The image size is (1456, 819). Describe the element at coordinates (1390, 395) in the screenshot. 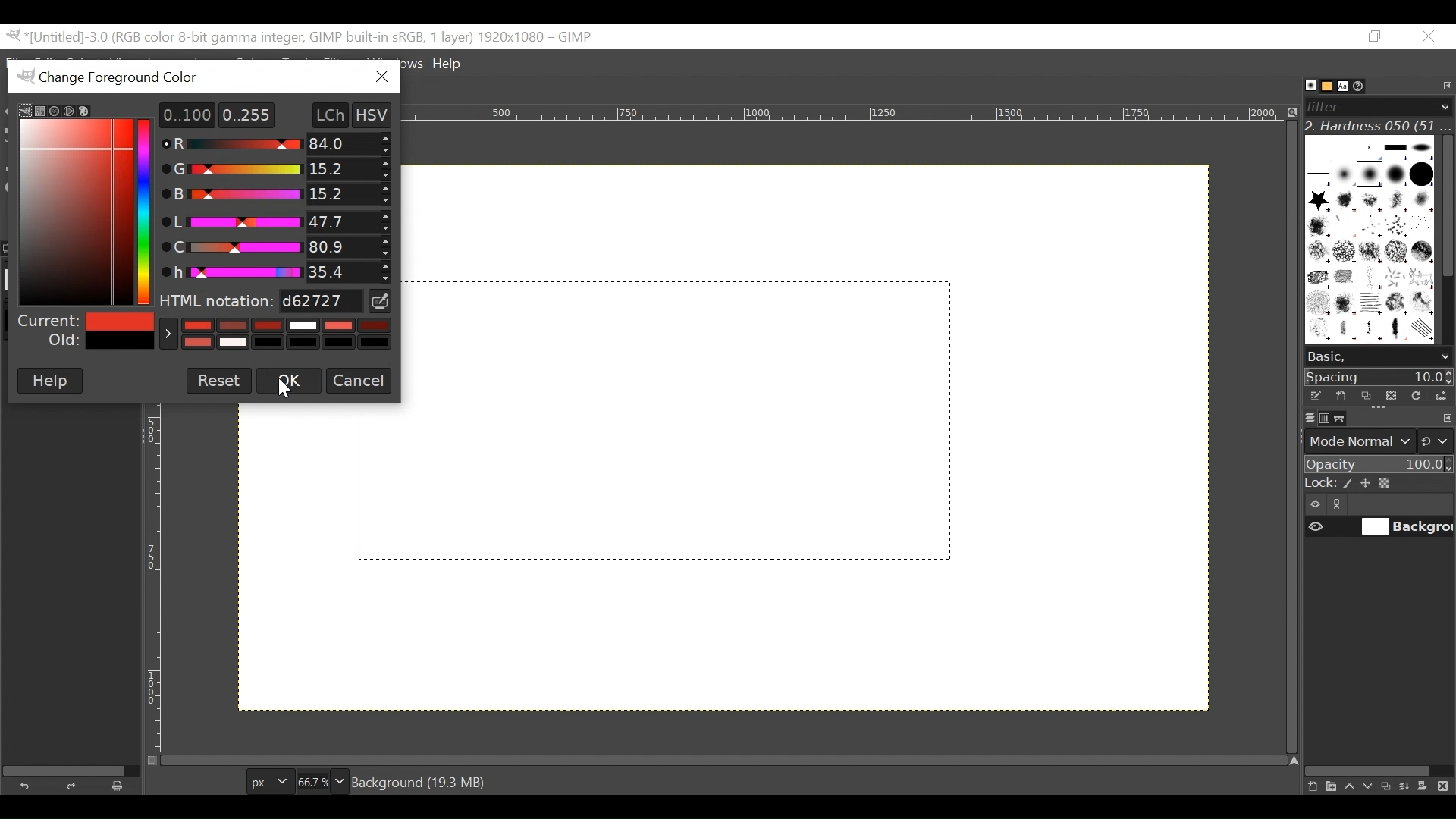

I see `Duplicate brush` at that location.